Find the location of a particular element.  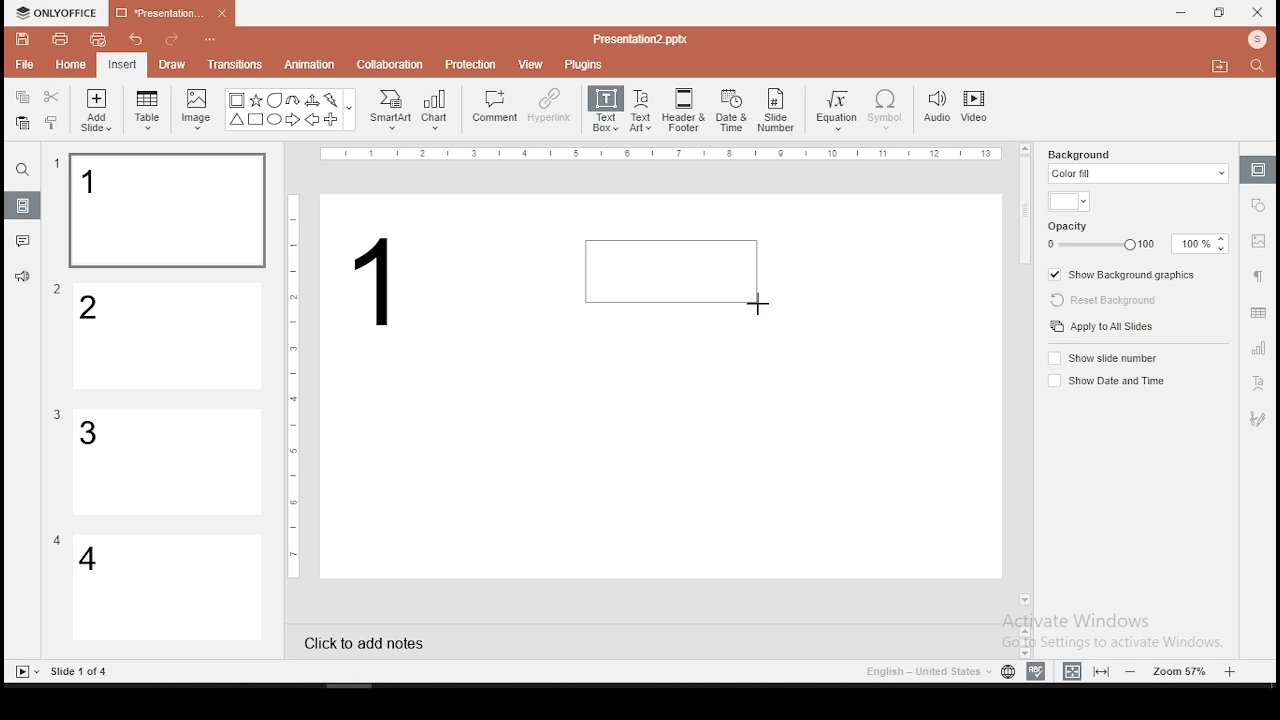

animation is located at coordinates (308, 66).